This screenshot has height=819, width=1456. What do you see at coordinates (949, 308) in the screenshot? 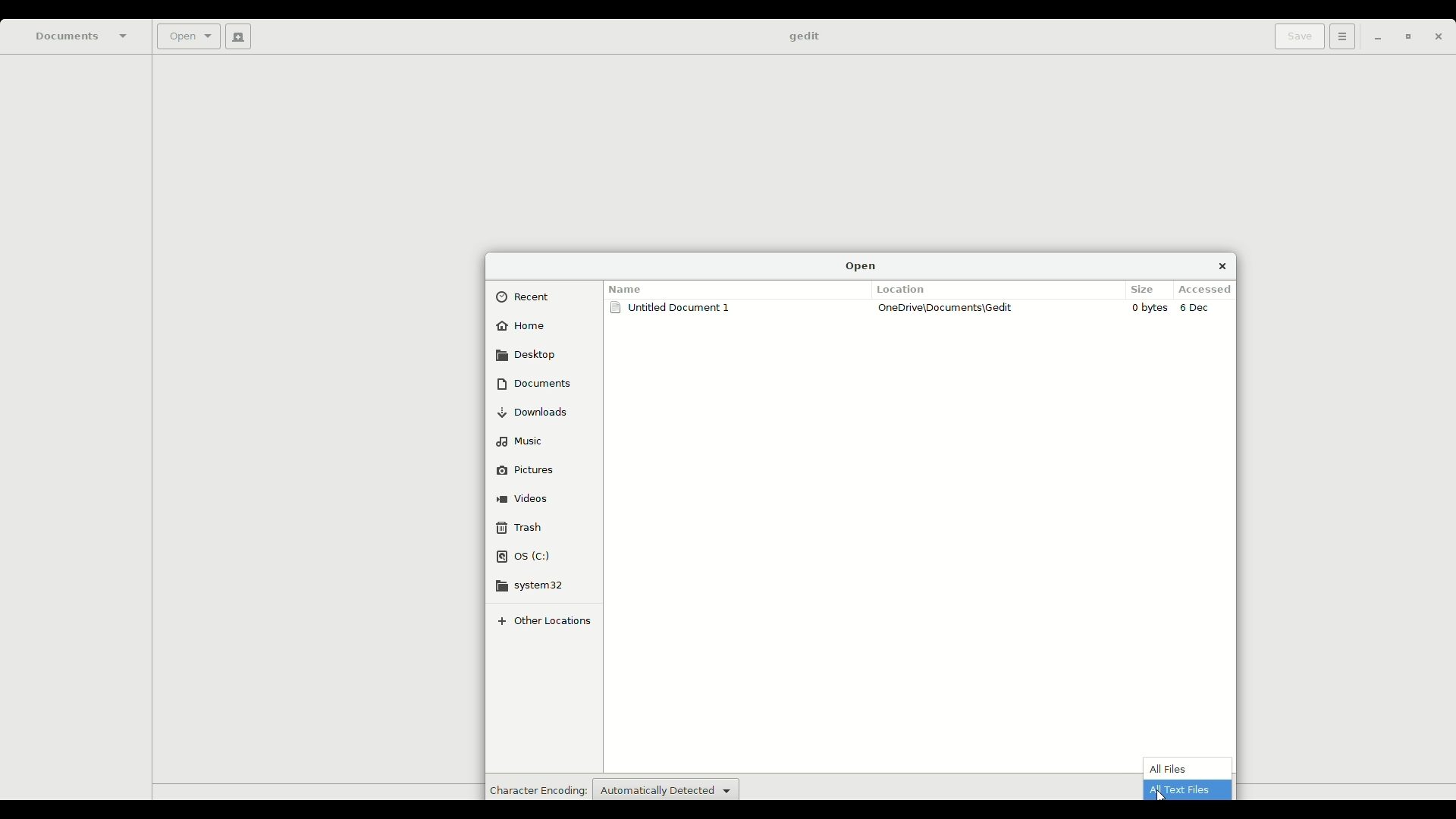
I see `OneDrive/Documents/Gedit` at bounding box center [949, 308].